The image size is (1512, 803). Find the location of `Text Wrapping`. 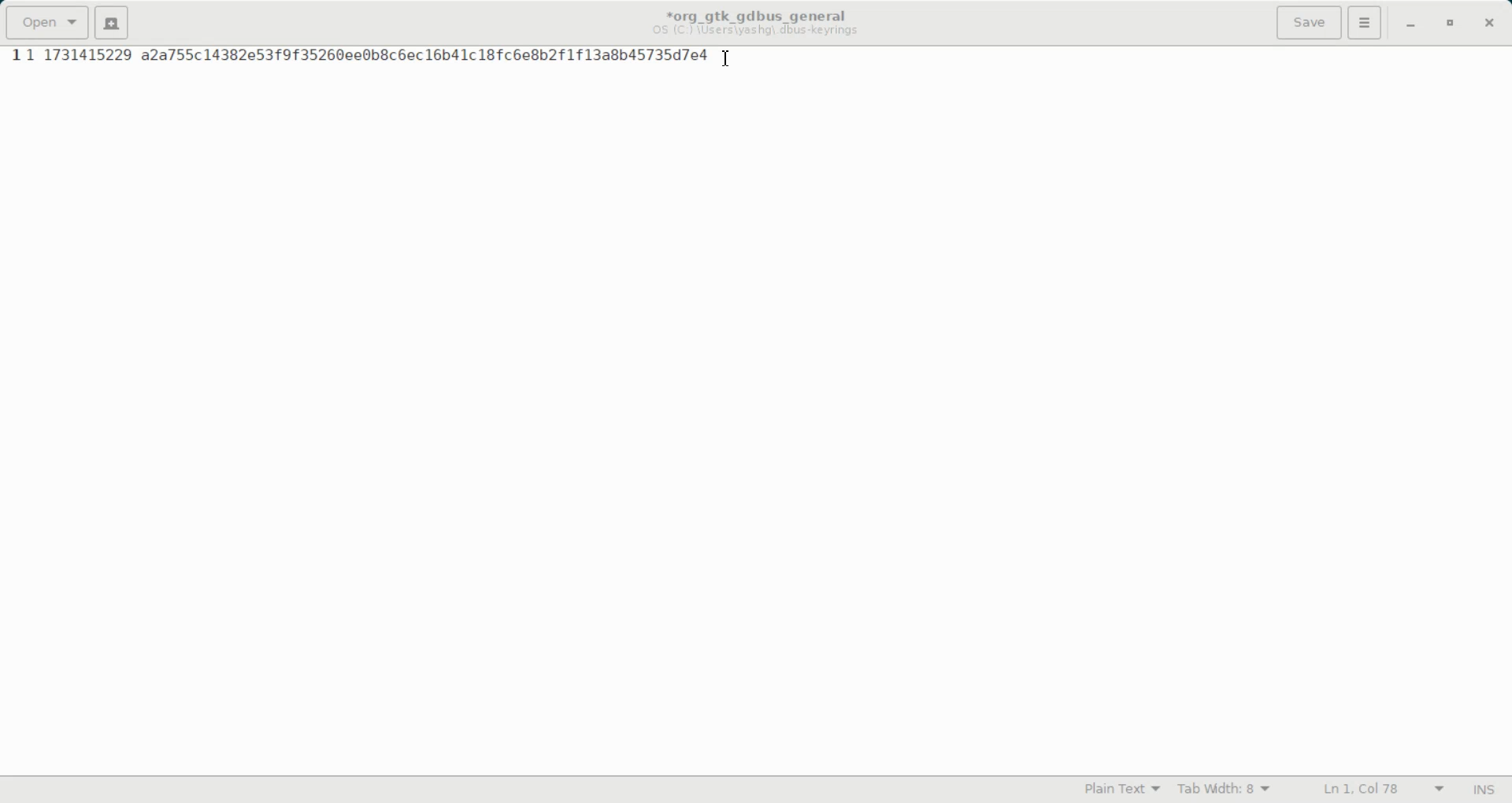

Text Wrapping is located at coordinates (1368, 790).